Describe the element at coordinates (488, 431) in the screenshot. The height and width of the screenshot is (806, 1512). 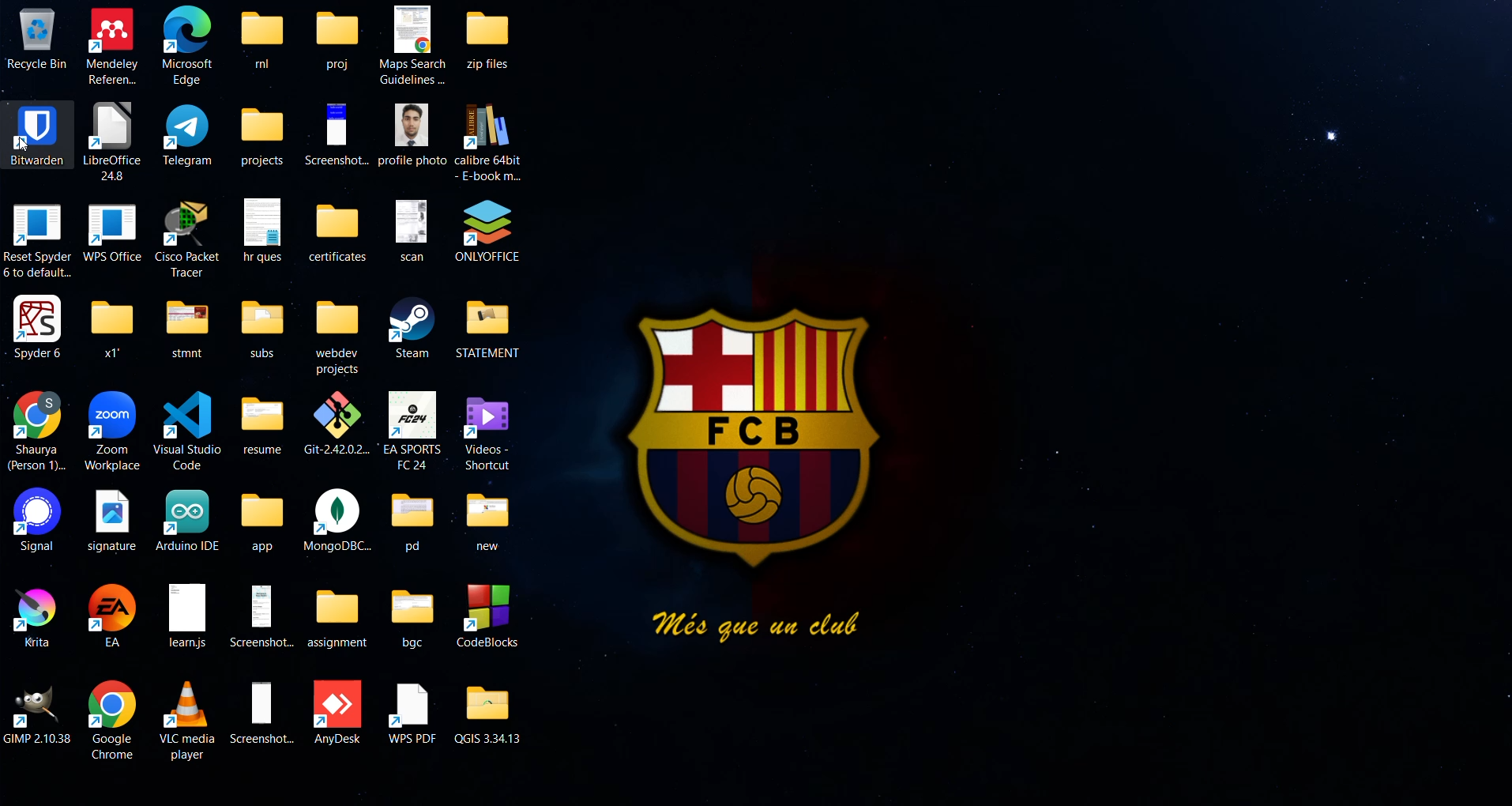
I see `Videos -
Shortcut` at that location.